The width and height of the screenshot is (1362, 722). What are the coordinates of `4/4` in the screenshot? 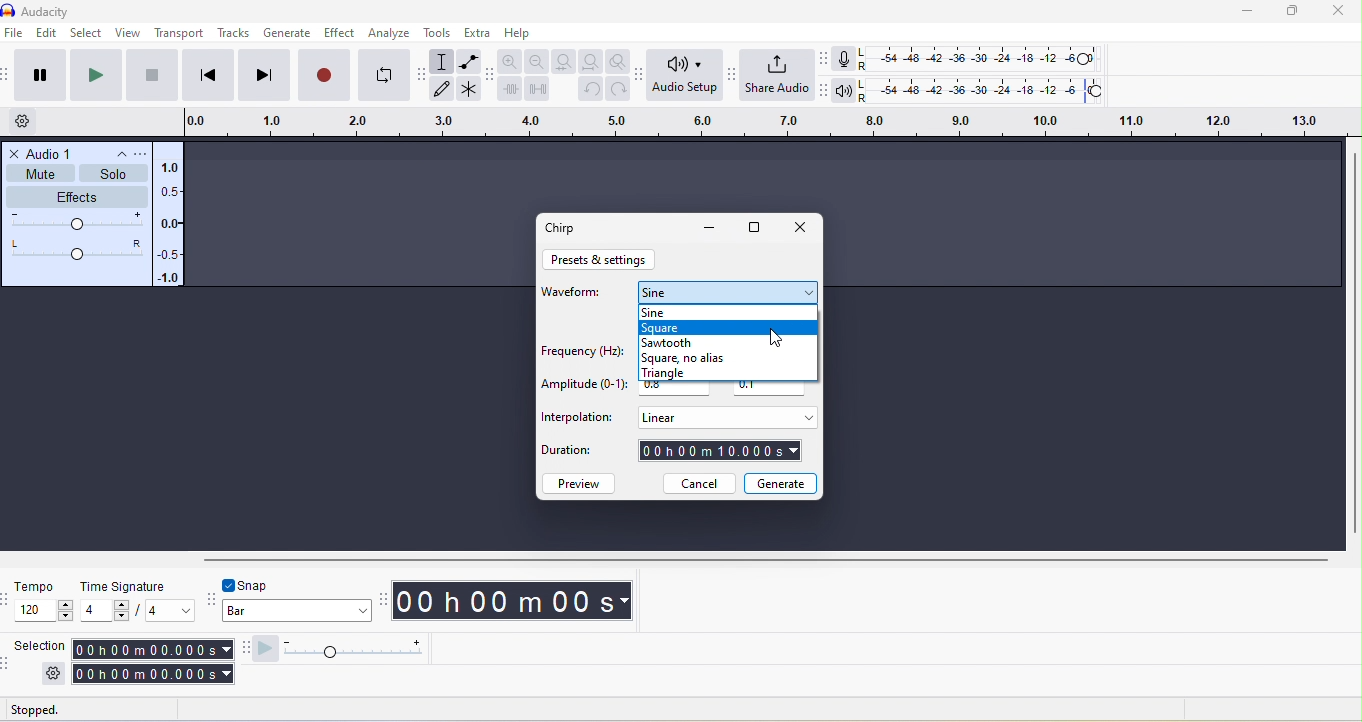 It's located at (137, 611).